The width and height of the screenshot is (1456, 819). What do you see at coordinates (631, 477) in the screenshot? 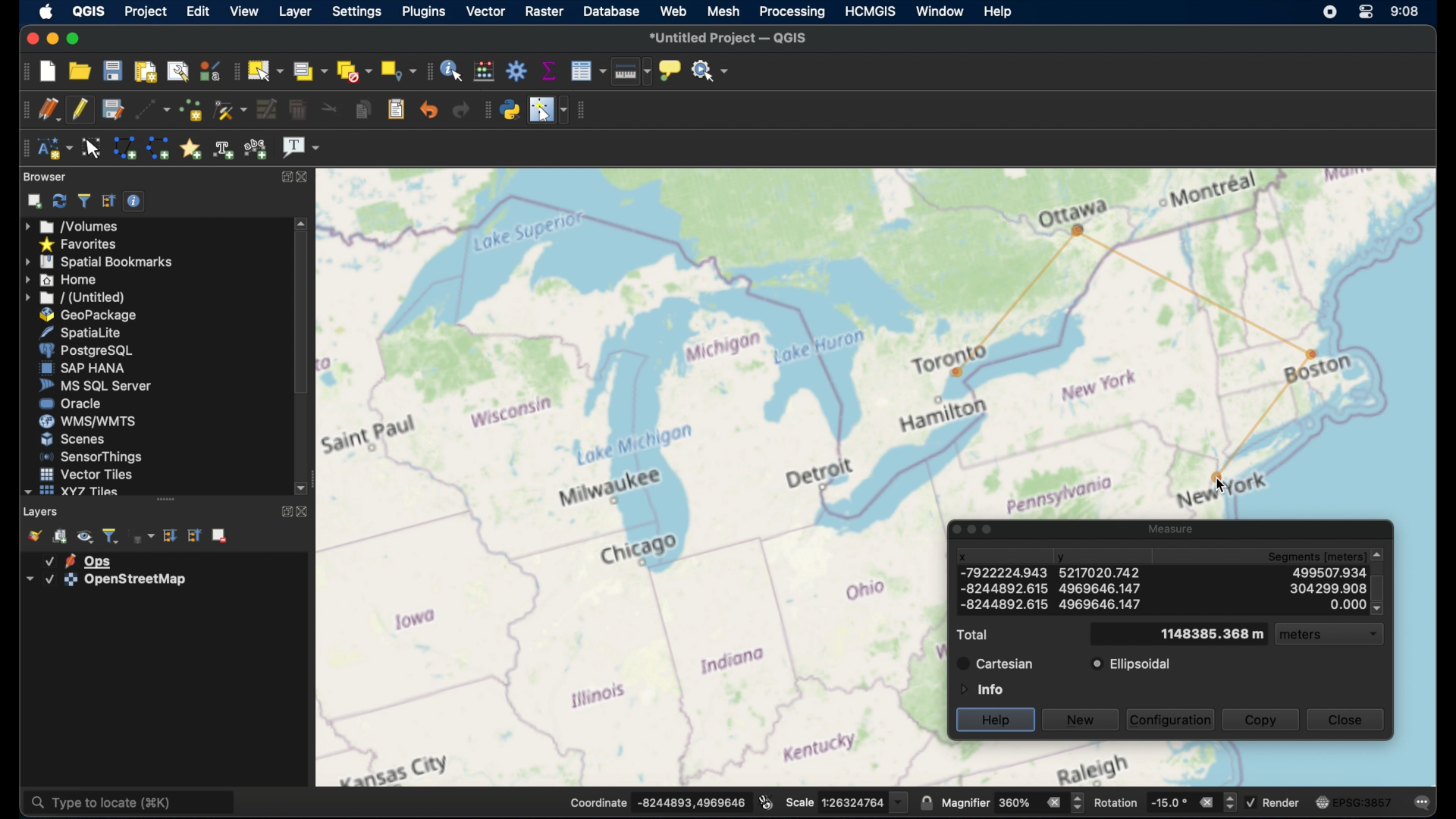
I see `open street map` at bounding box center [631, 477].